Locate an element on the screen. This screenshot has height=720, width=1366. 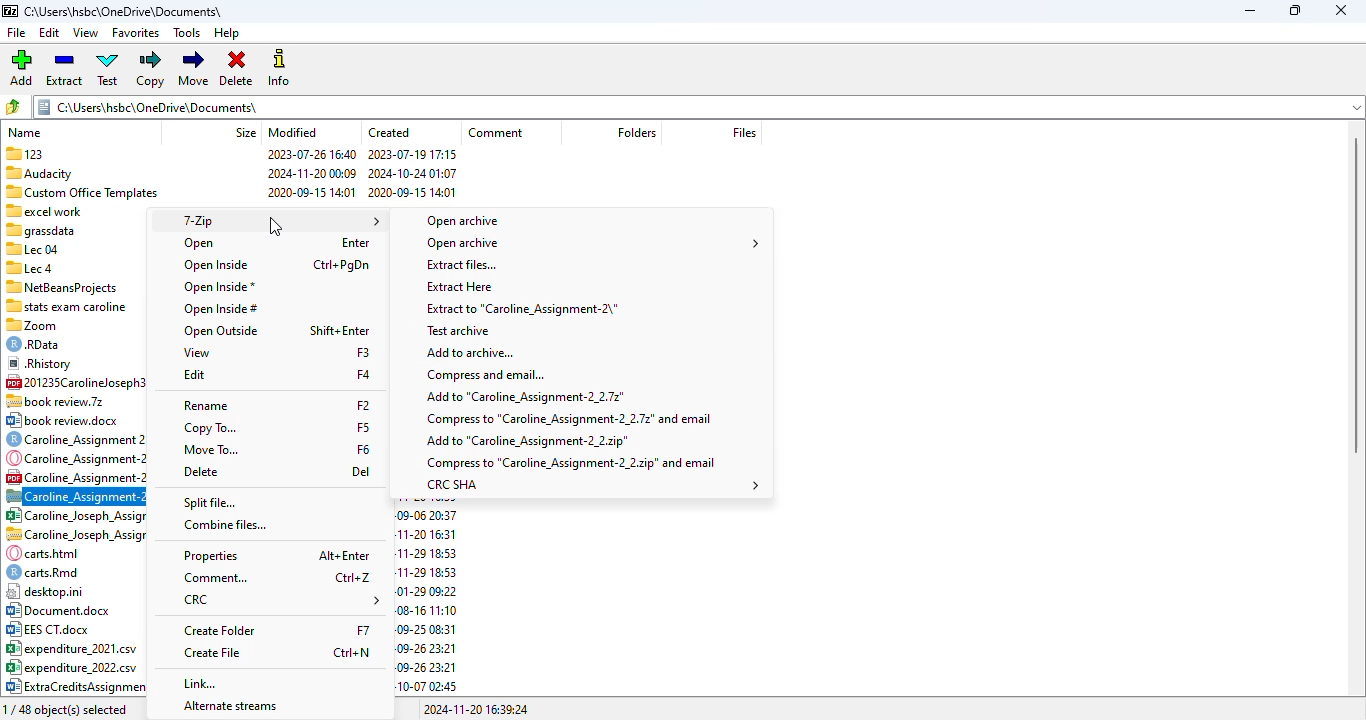
edit is located at coordinates (50, 33).